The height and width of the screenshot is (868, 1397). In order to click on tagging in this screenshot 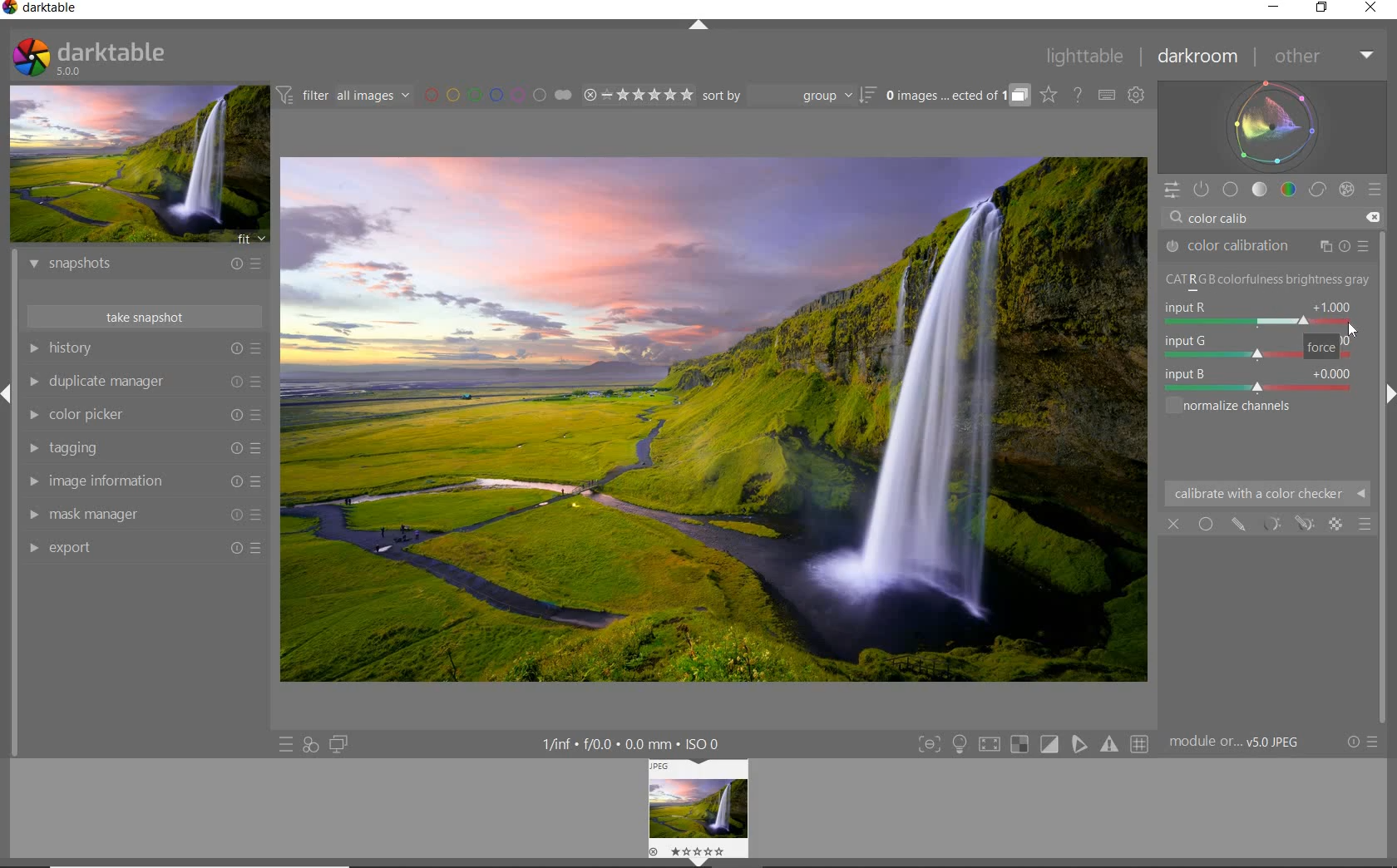, I will do `click(144, 448)`.